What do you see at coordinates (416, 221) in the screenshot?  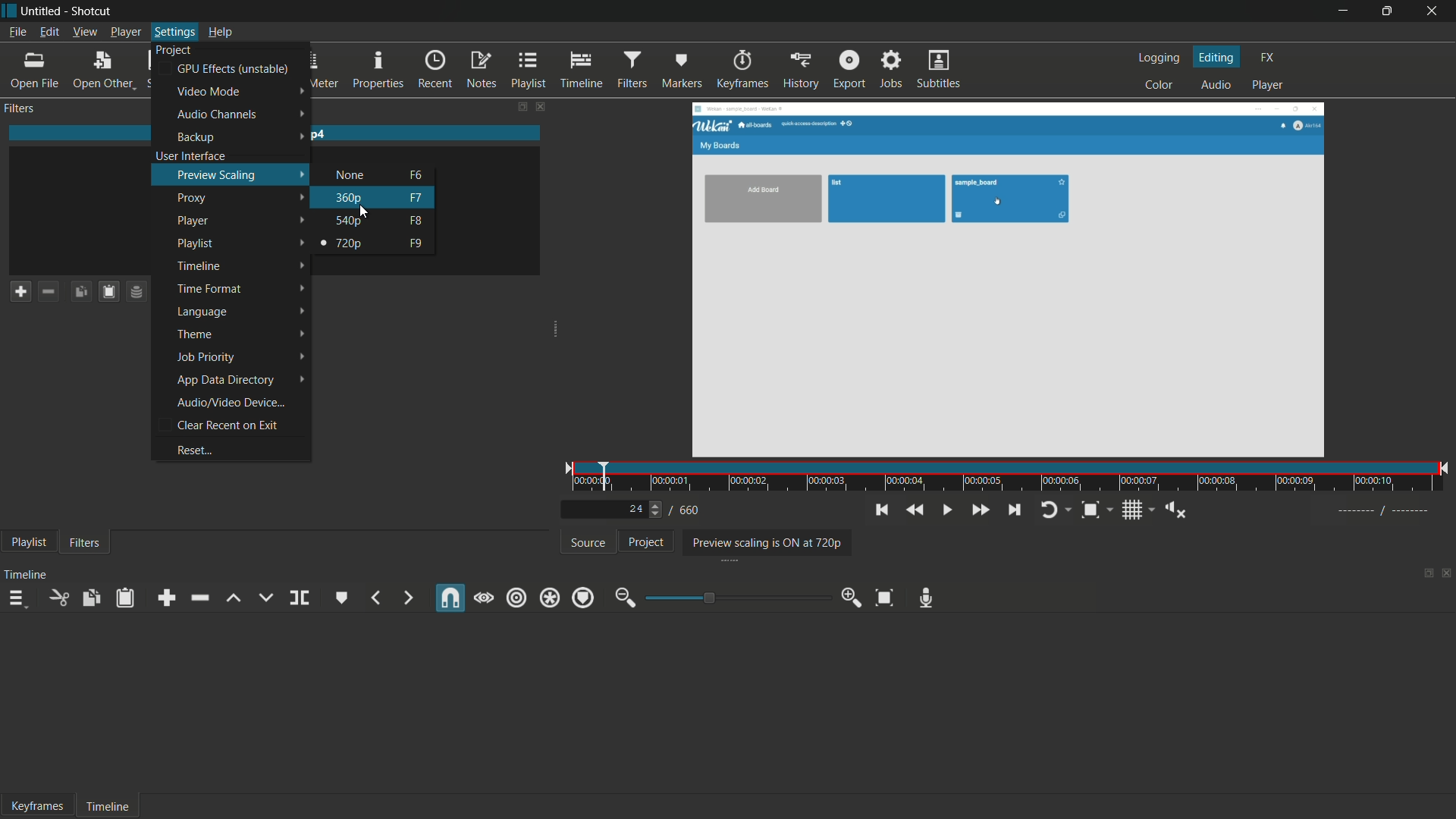 I see `keyboard shortcut` at bounding box center [416, 221].